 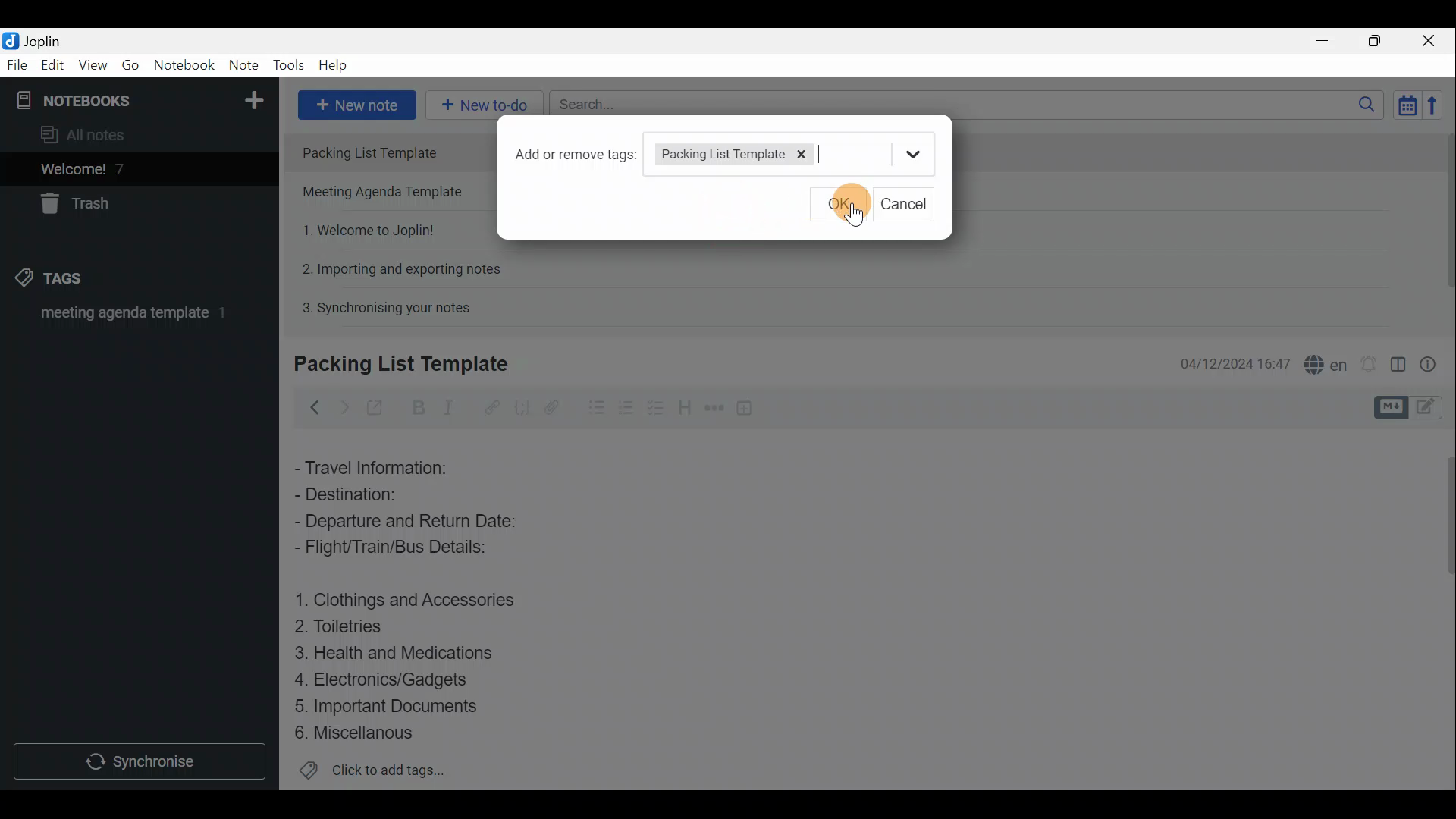 I want to click on Italic, so click(x=454, y=407).